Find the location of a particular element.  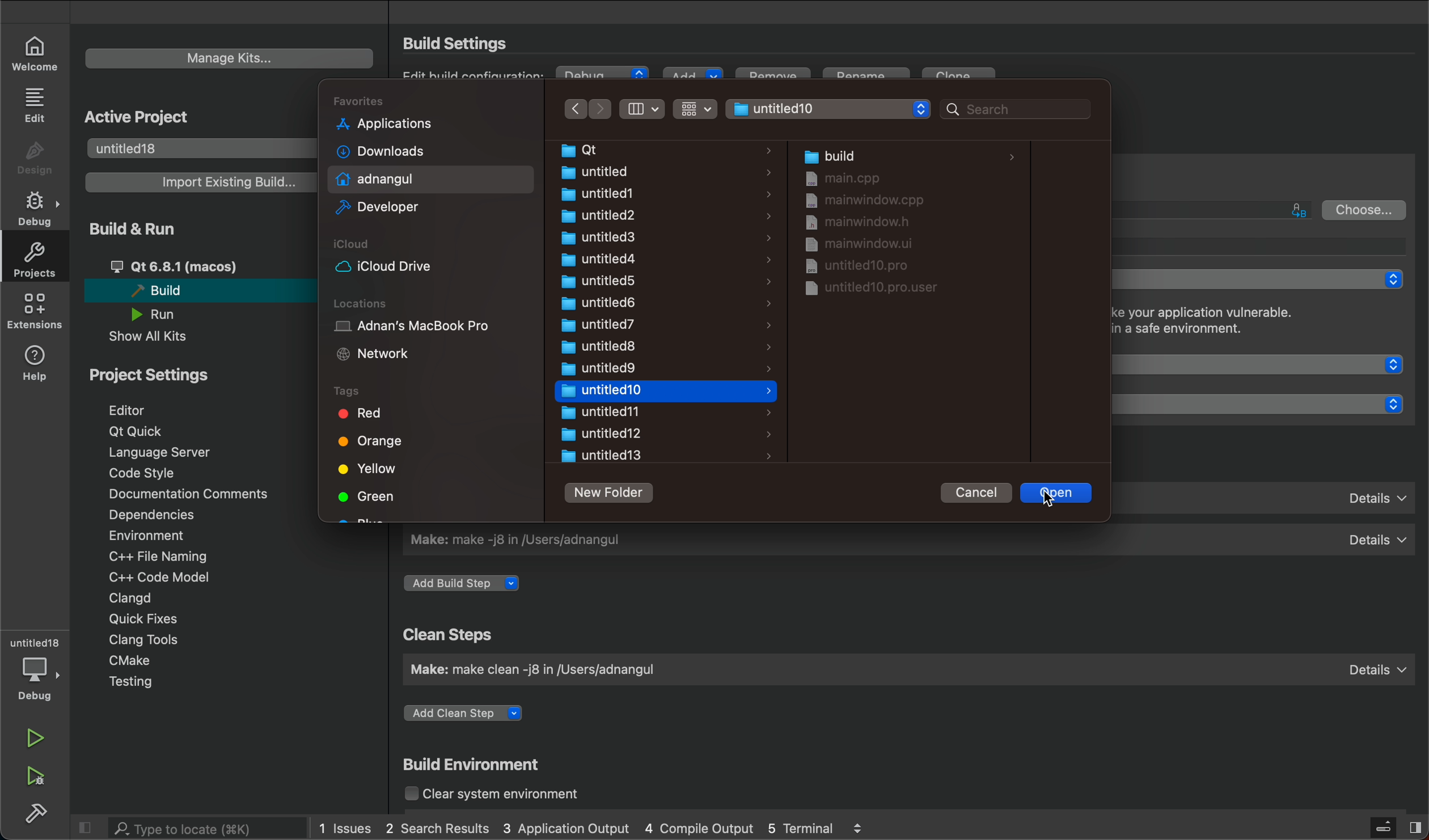

quick is located at coordinates (137, 620).